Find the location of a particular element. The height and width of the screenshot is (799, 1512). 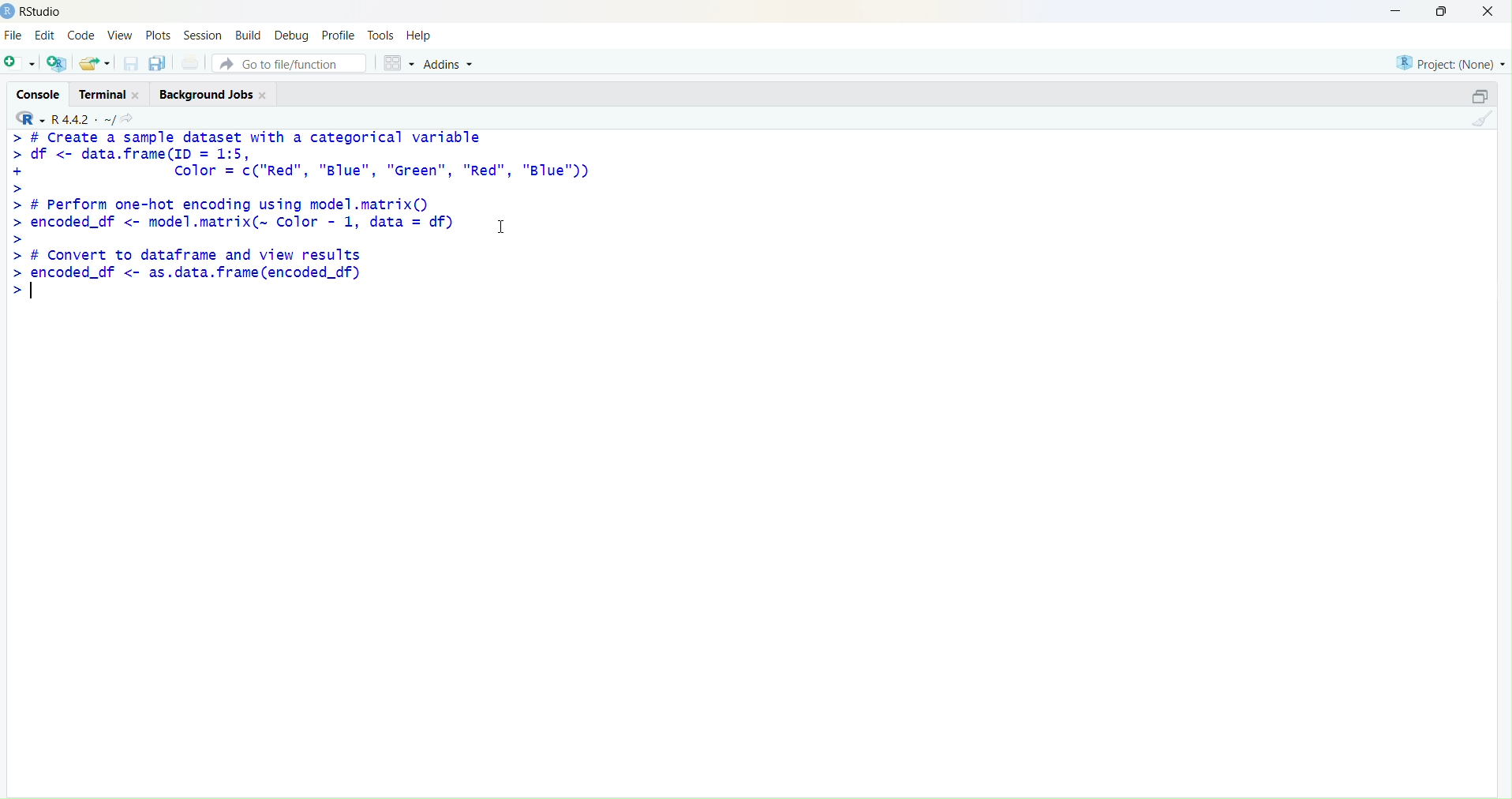

profile is located at coordinates (341, 36).